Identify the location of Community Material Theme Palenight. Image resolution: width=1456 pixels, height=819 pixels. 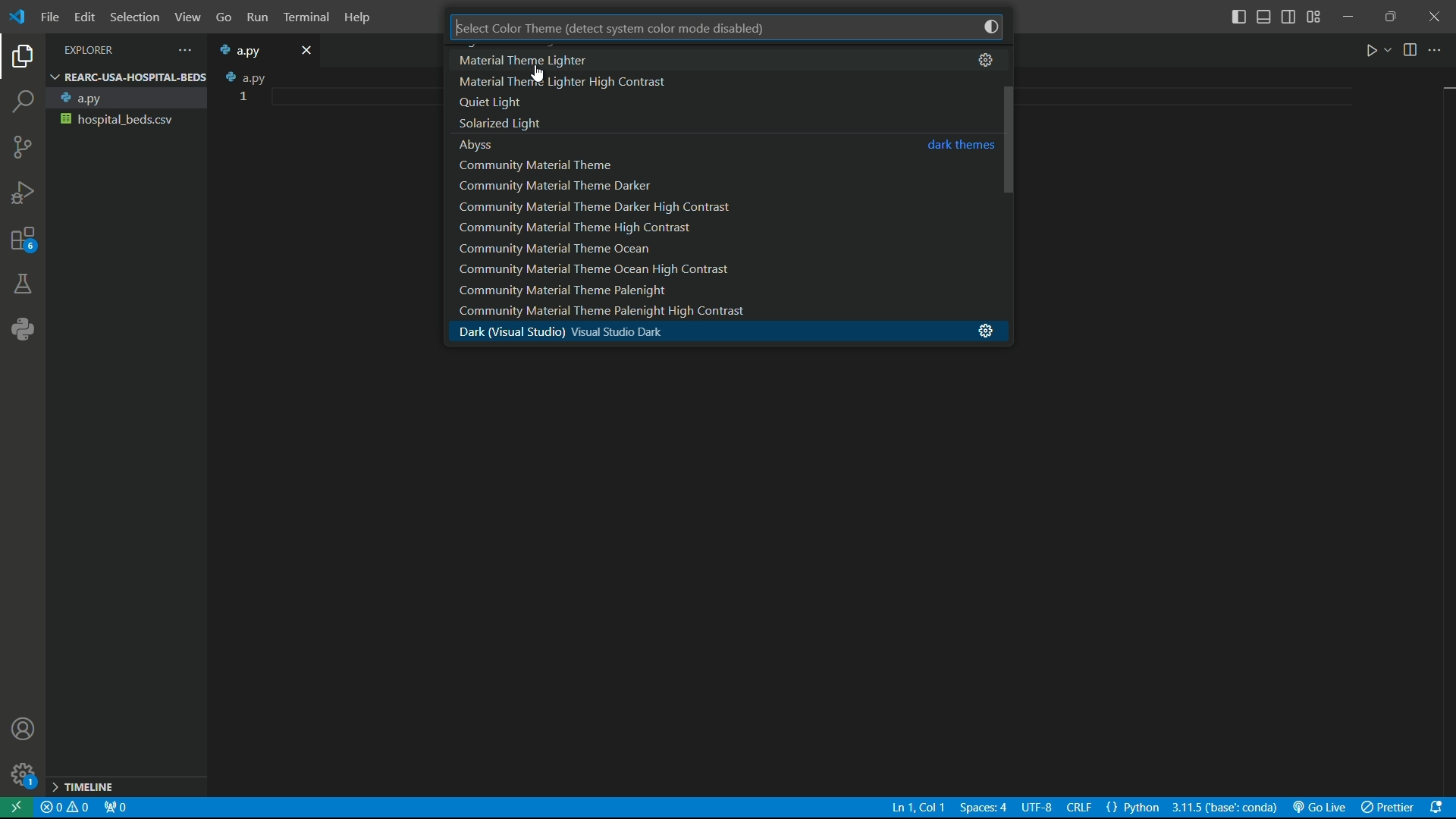
(620, 290).